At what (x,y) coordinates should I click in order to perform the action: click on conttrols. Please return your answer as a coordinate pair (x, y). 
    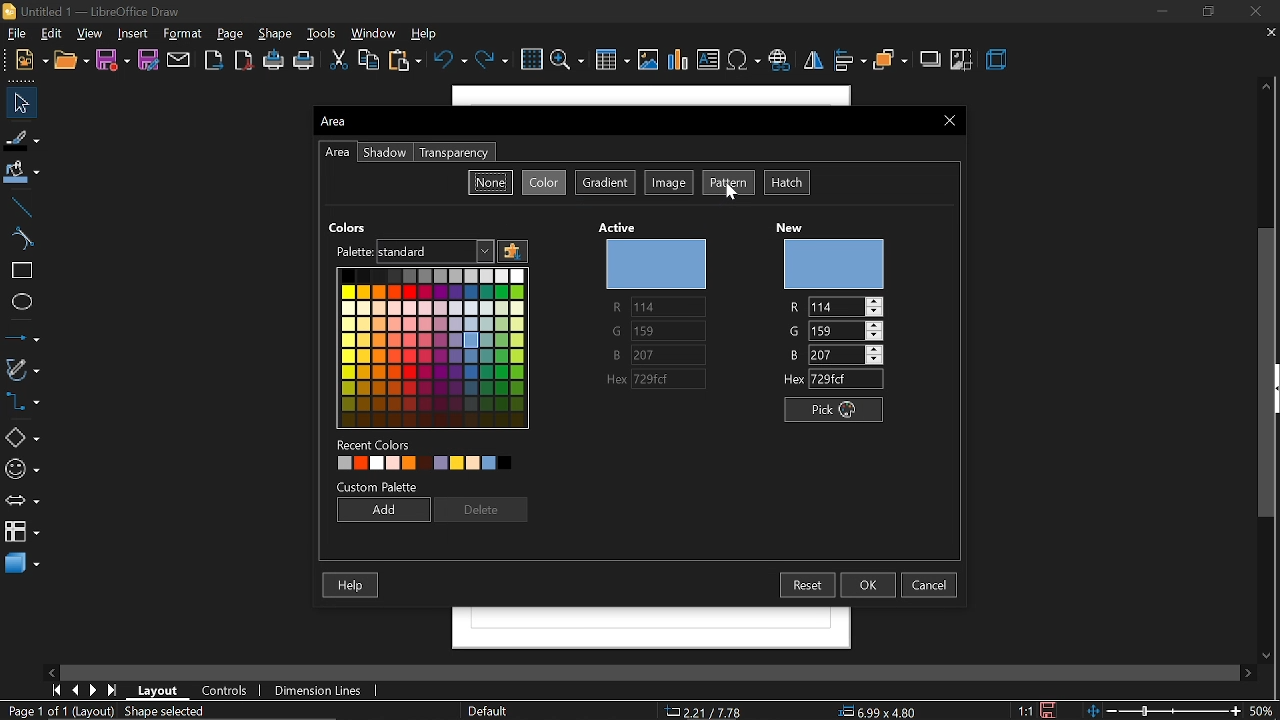
    Looking at the image, I should click on (228, 691).